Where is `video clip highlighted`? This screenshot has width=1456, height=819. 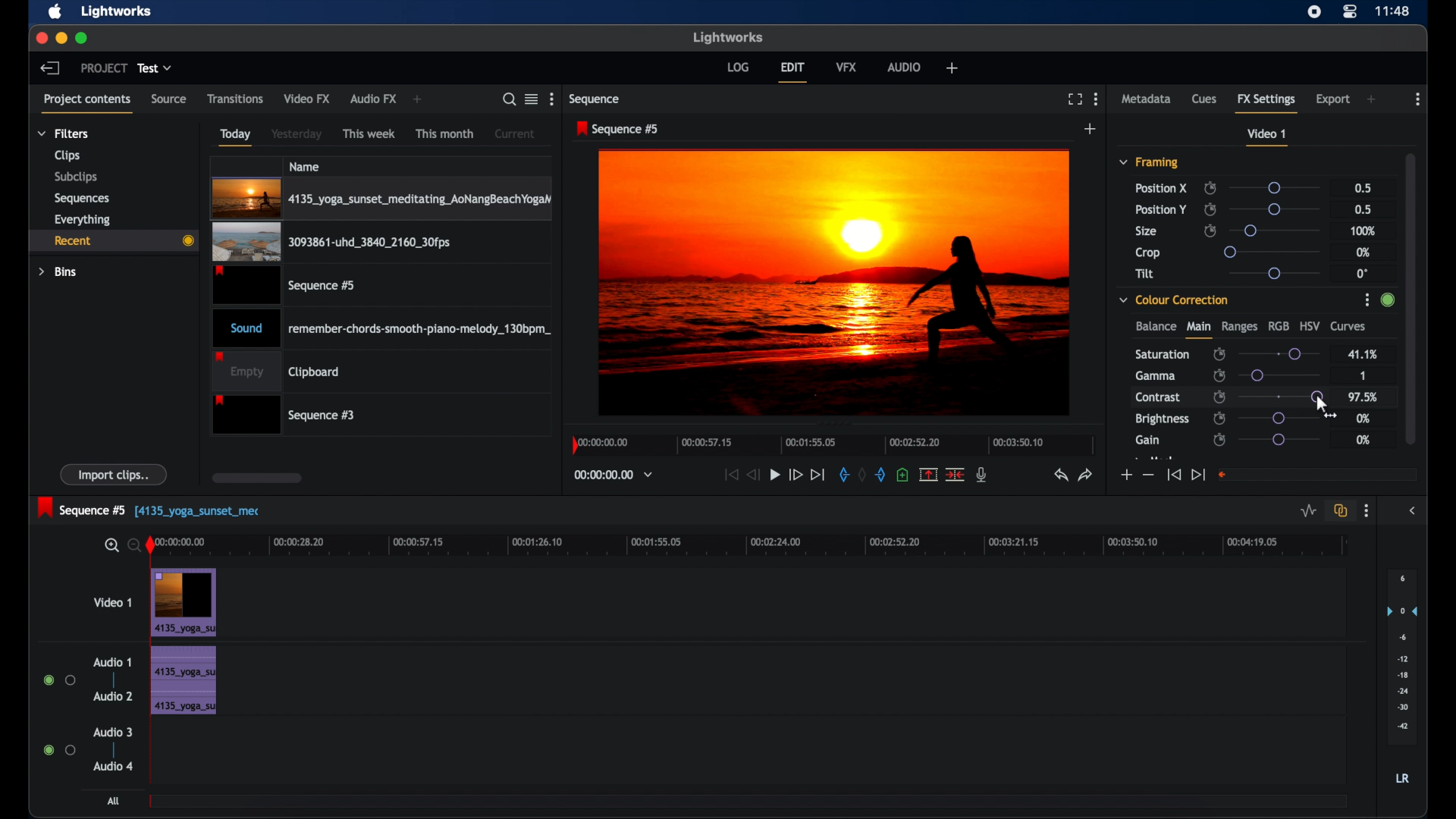 video clip highlighted is located at coordinates (381, 199).